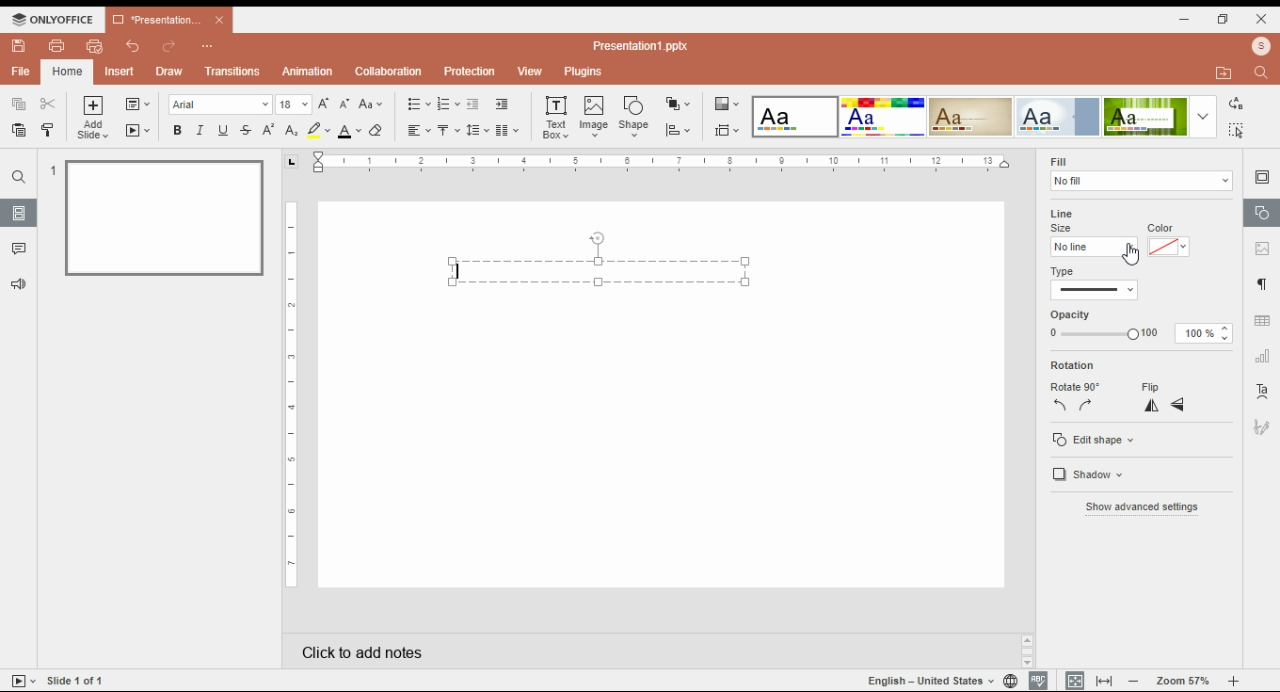  What do you see at coordinates (138, 104) in the screenshot?
I see `change slide layout` at bounding box center [138, 104].